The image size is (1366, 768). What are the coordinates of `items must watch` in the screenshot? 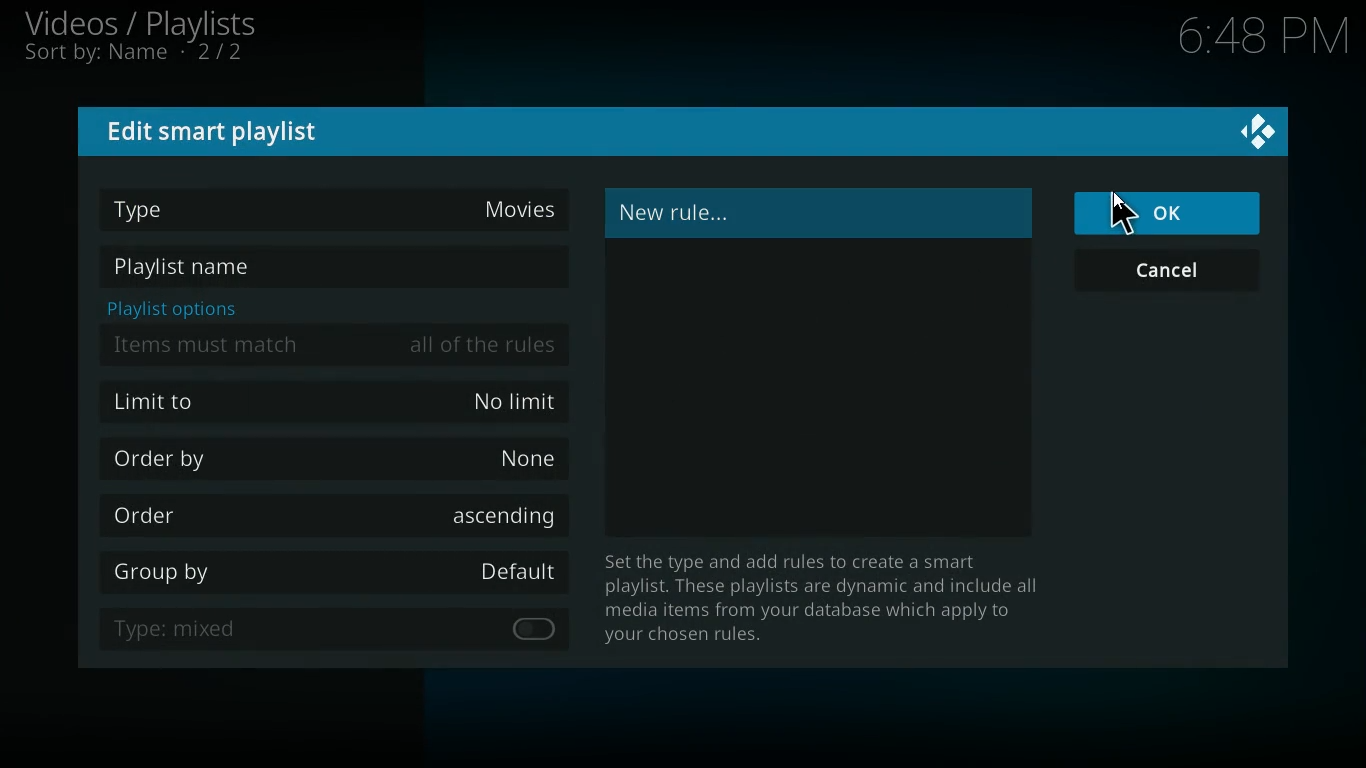 It's located at (335, 345).